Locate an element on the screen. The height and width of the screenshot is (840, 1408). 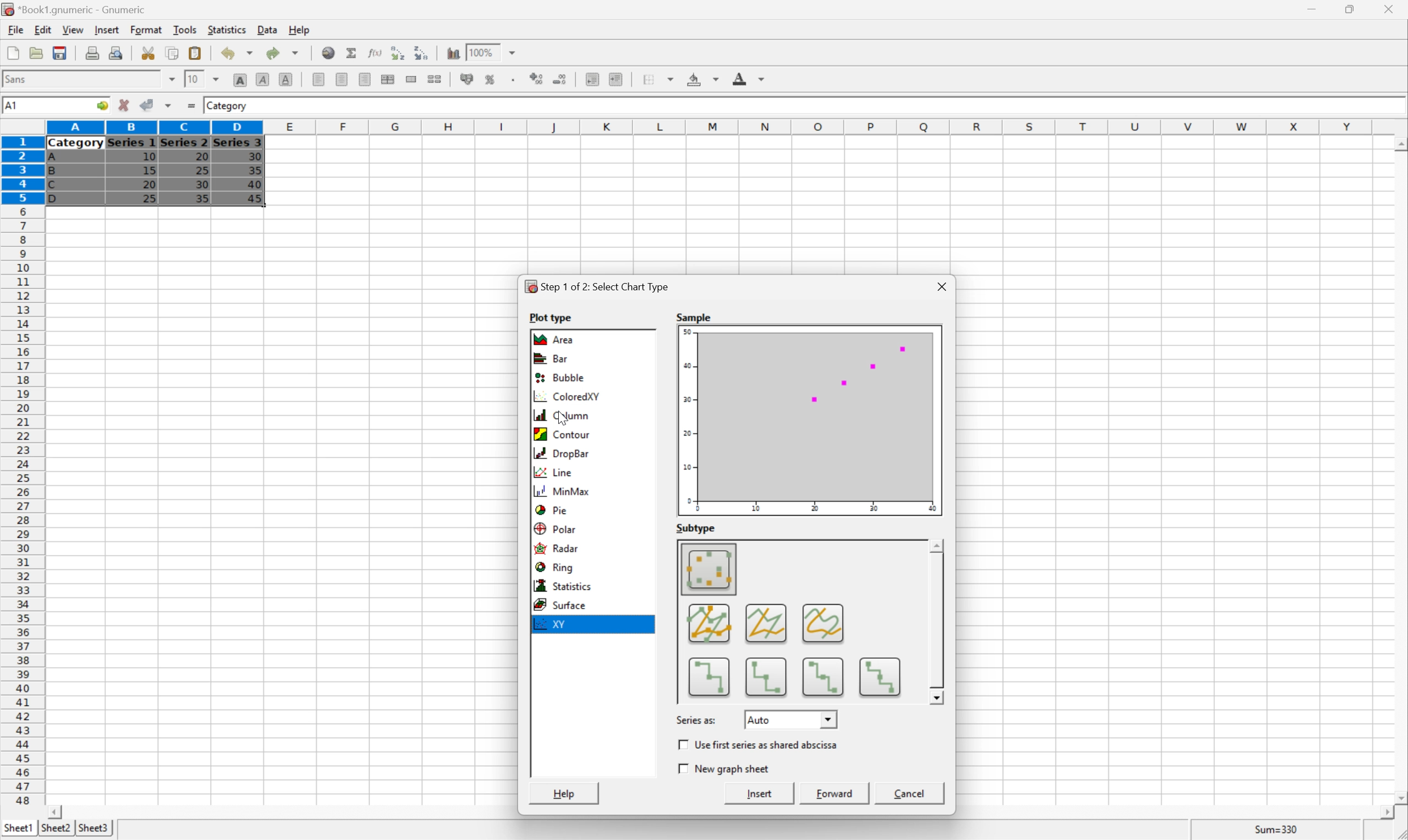
Plot type is located at coordinates (553, 316).